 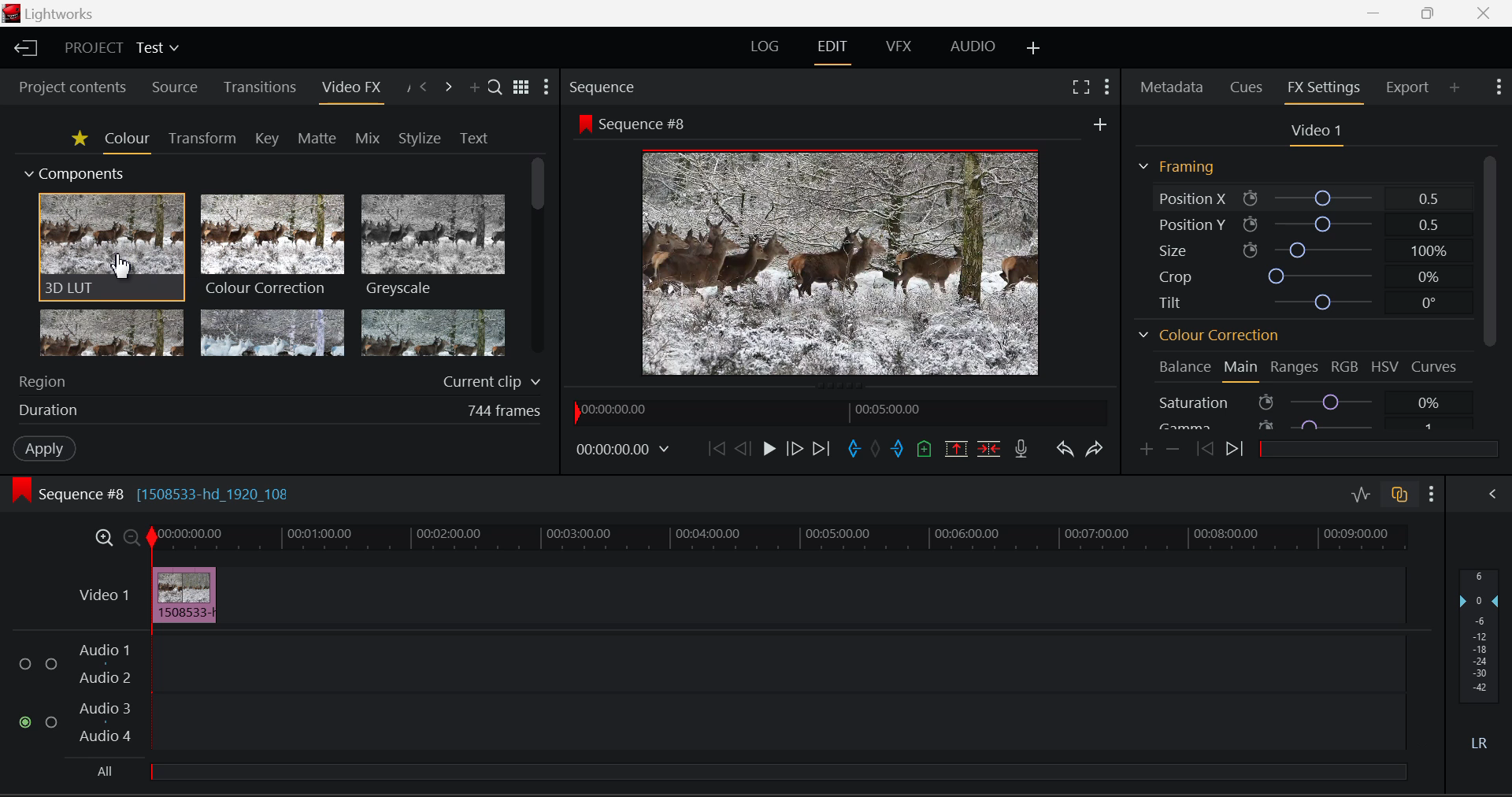 I want to click on Gamma, so click(x=1305, y=422).